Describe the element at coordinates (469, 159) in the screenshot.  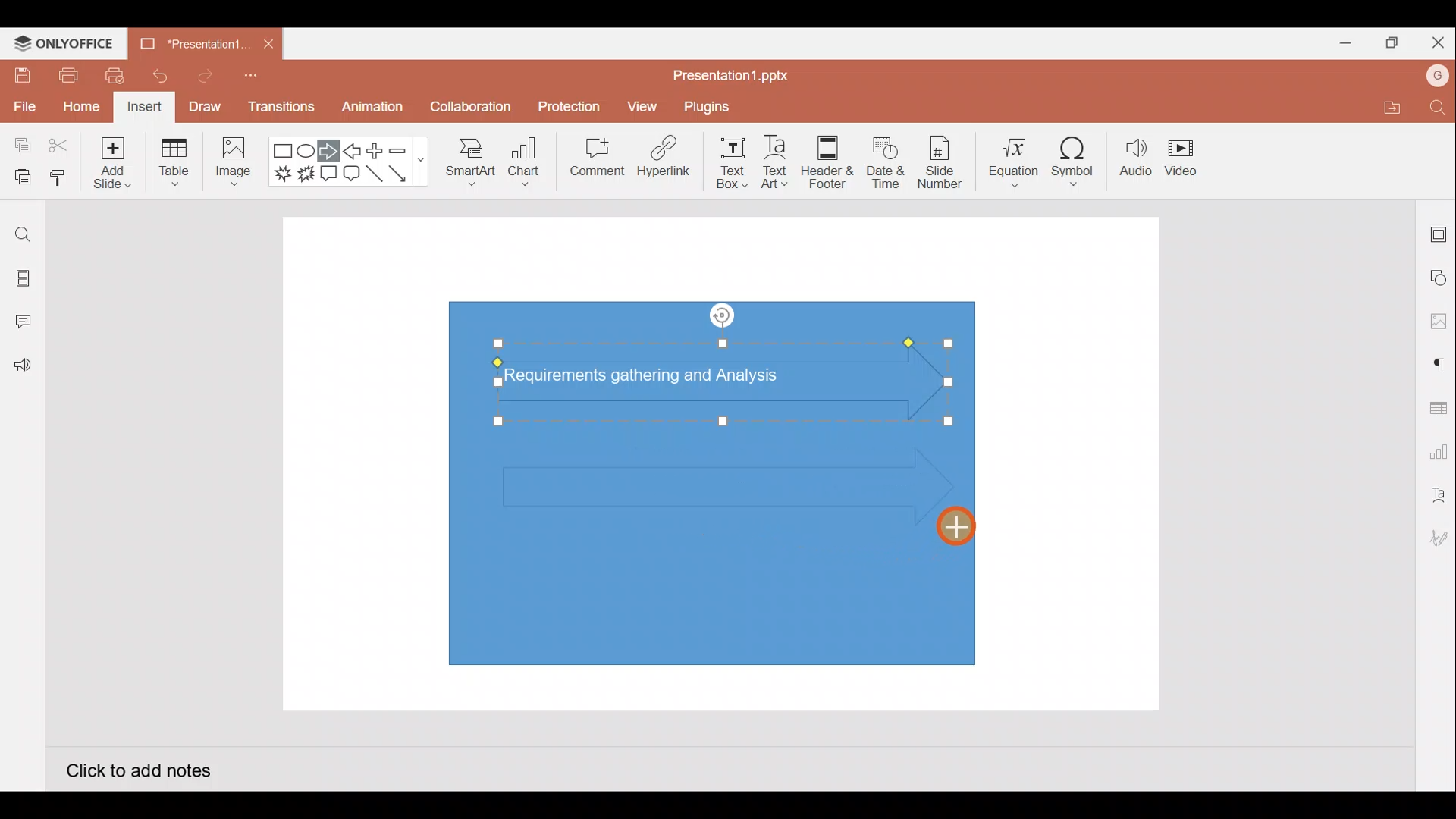
I see `SmartArt` at that location.